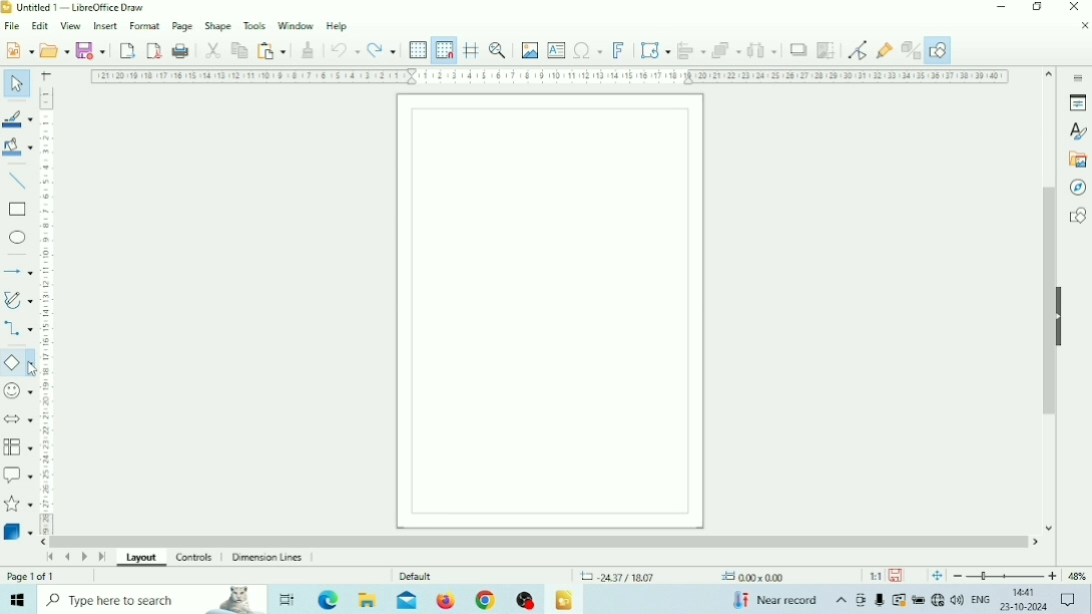 The height and width of the screenshot is (614, 1092). What do you see at coordinates (618, 49) in the screenshot?
I see `Insert Fontwork Text` at bounding box center [618, 49].